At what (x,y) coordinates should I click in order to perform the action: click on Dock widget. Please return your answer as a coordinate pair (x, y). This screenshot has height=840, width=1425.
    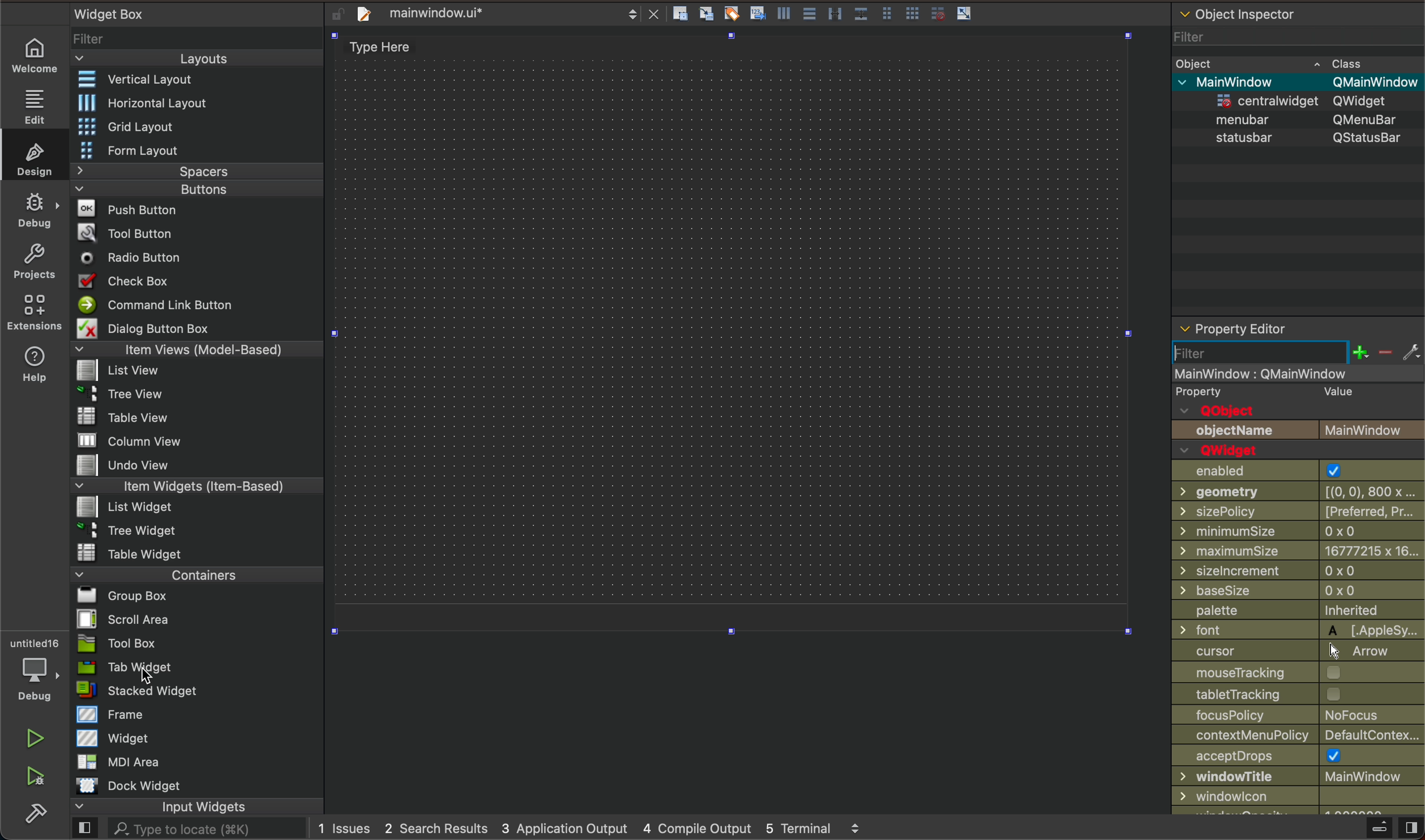
    Looking at the image, I should click on (146, 786).